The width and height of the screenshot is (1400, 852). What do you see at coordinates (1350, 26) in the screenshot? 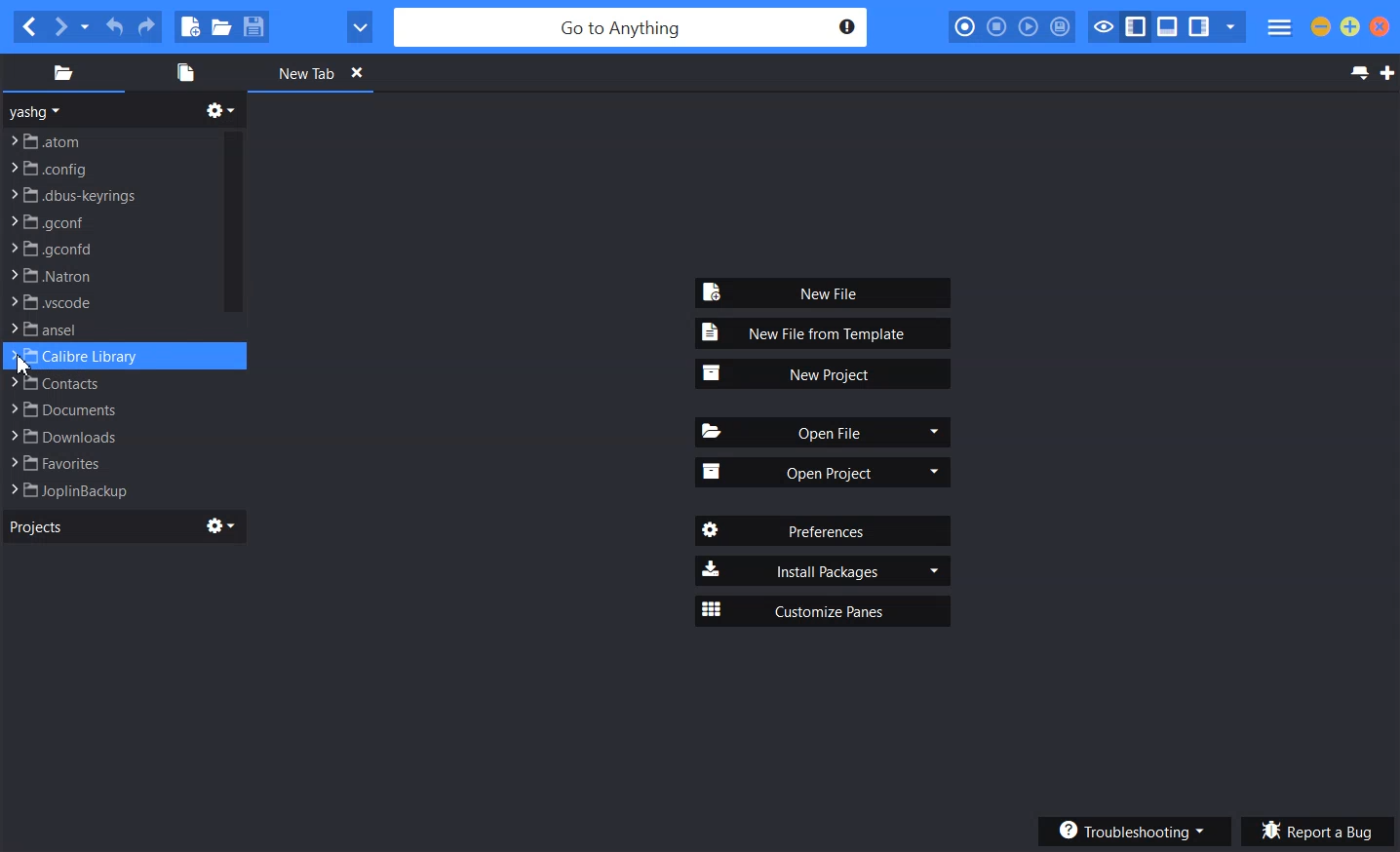
I see `Maximize` at bounding box center [1350, 26].